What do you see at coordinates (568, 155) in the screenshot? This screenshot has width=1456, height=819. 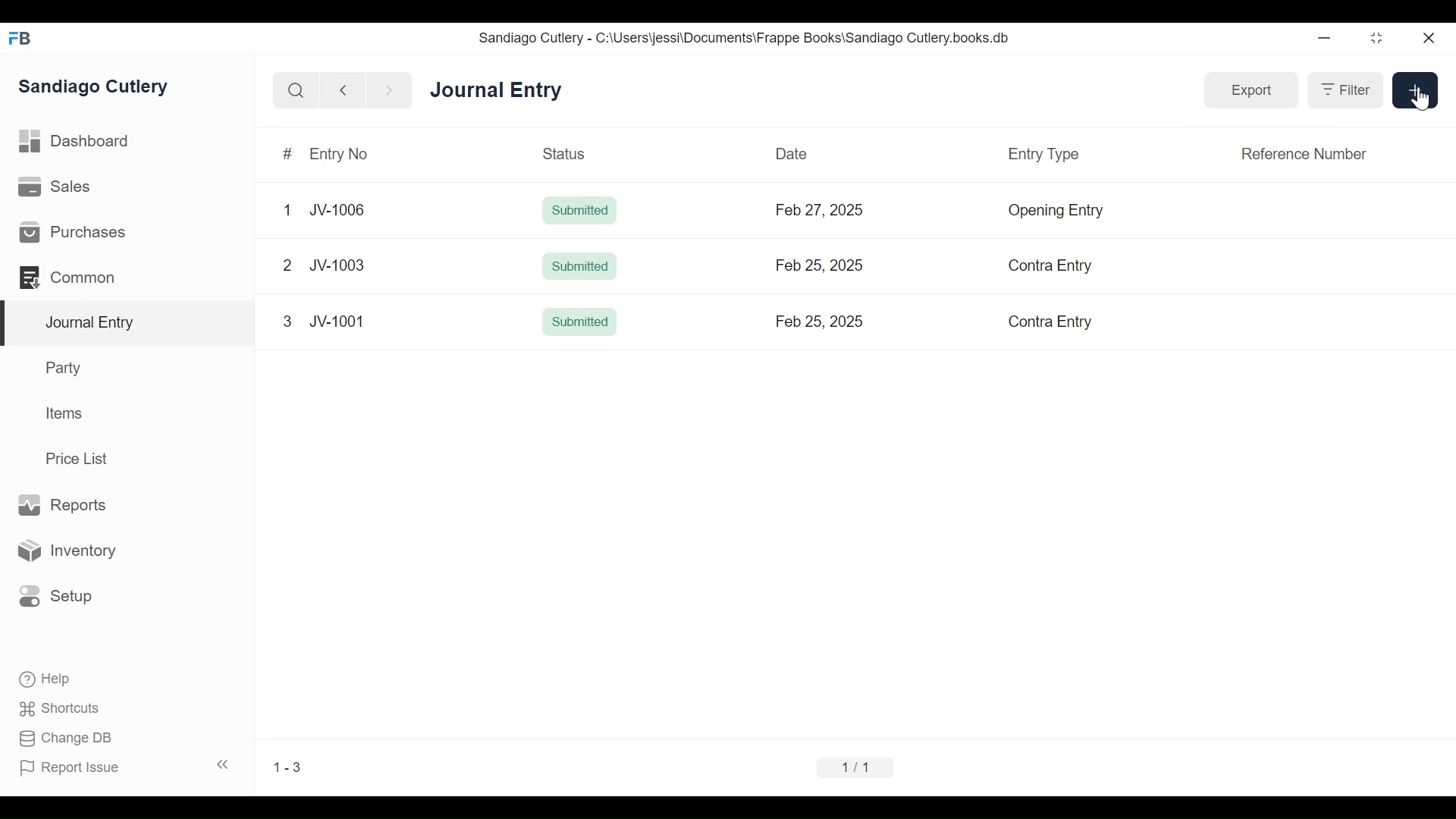 I see `Status` at bounding box center [568, 155].